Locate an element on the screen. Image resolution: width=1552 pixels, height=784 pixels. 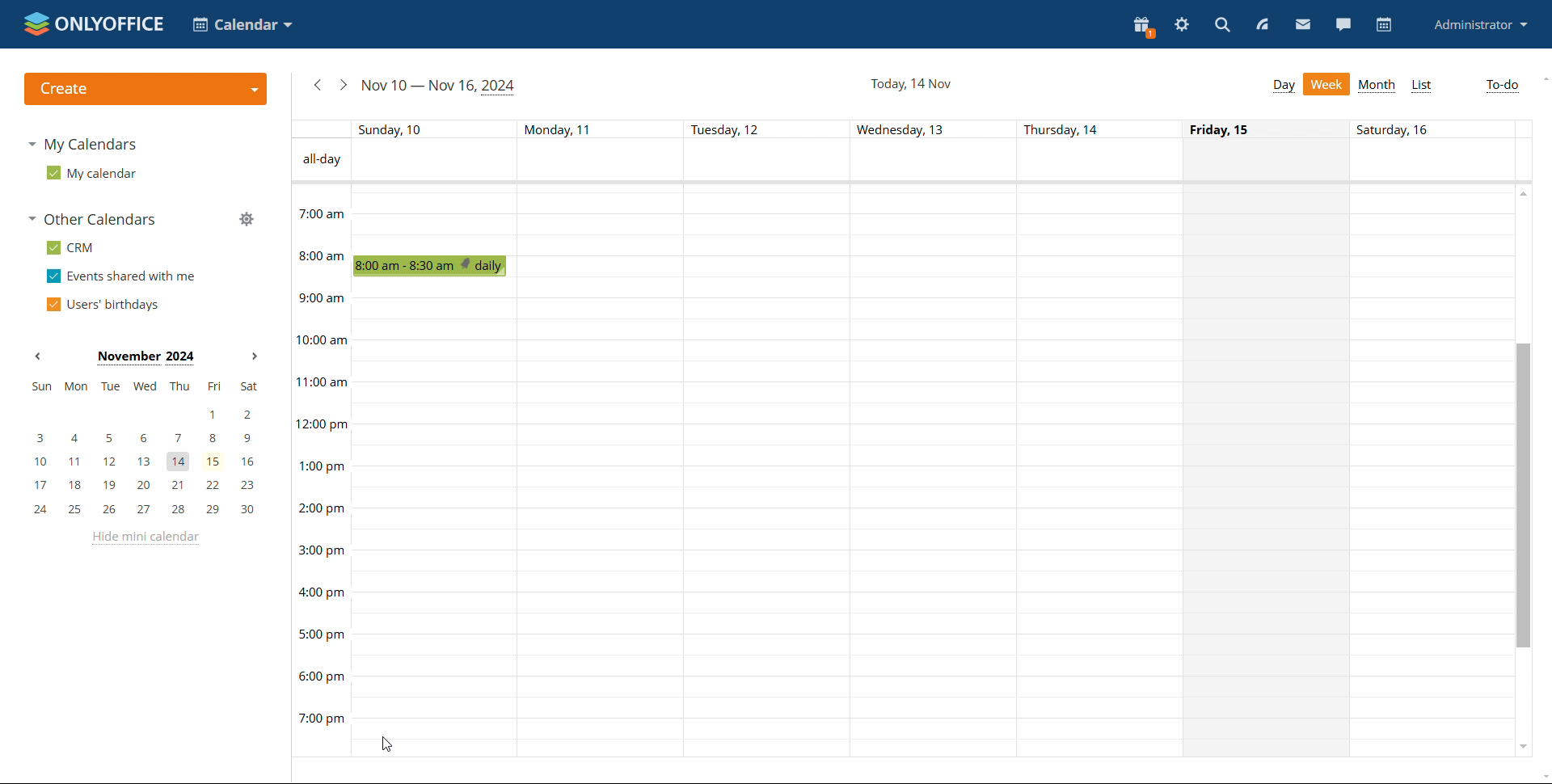
time of the day is located at coordinates (320, 456).